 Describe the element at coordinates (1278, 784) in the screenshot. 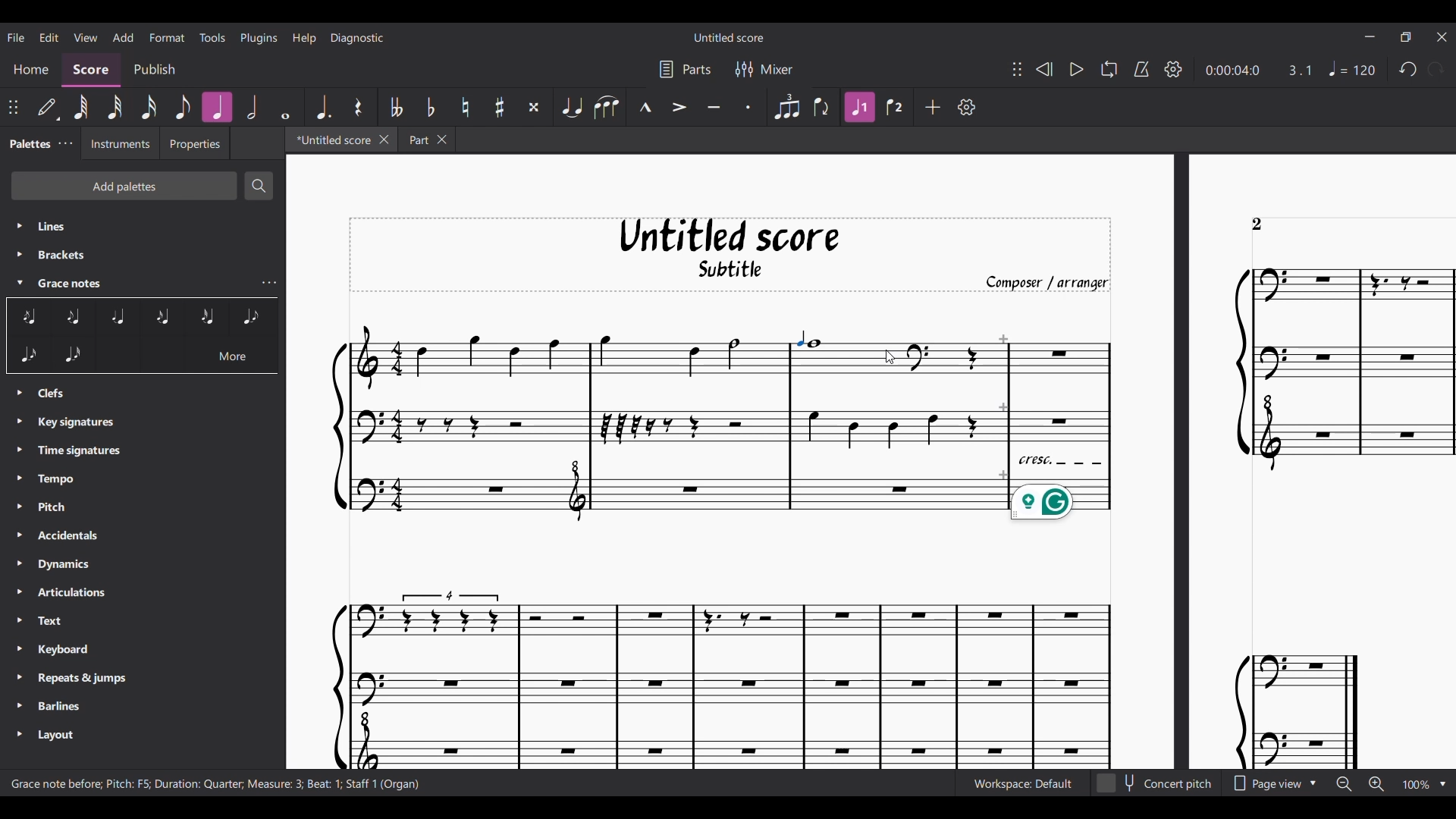

I see `options to change page view` at that location.